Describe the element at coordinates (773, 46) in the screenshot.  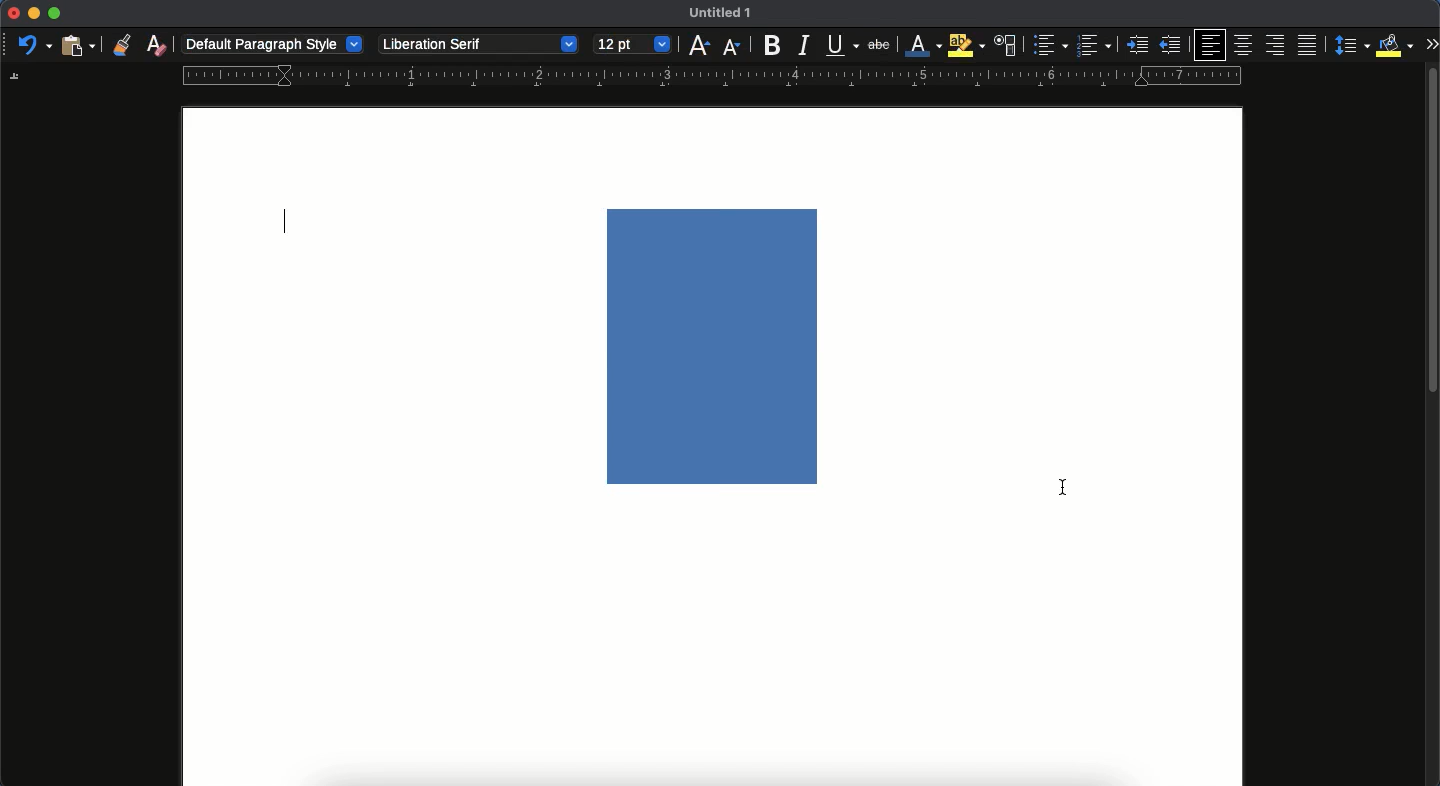
I see `bold` at that location.